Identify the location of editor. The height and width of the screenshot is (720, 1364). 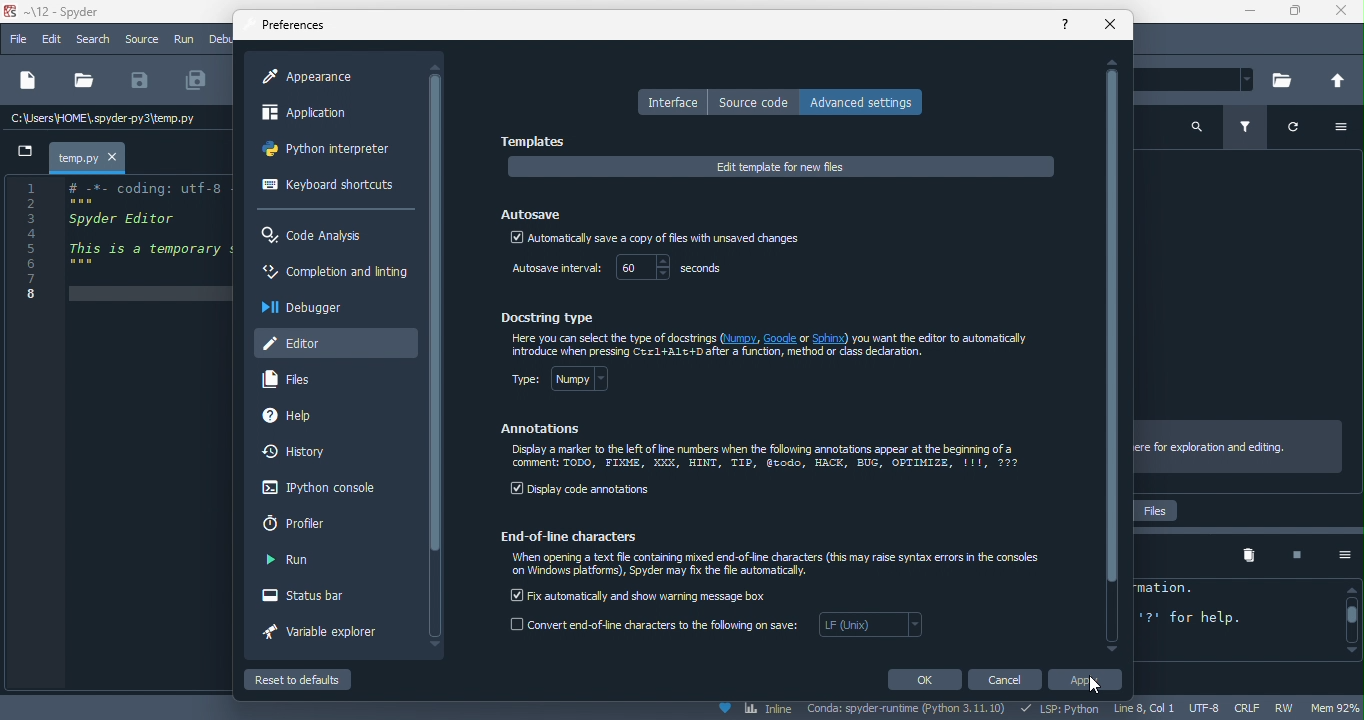
(335, 341).